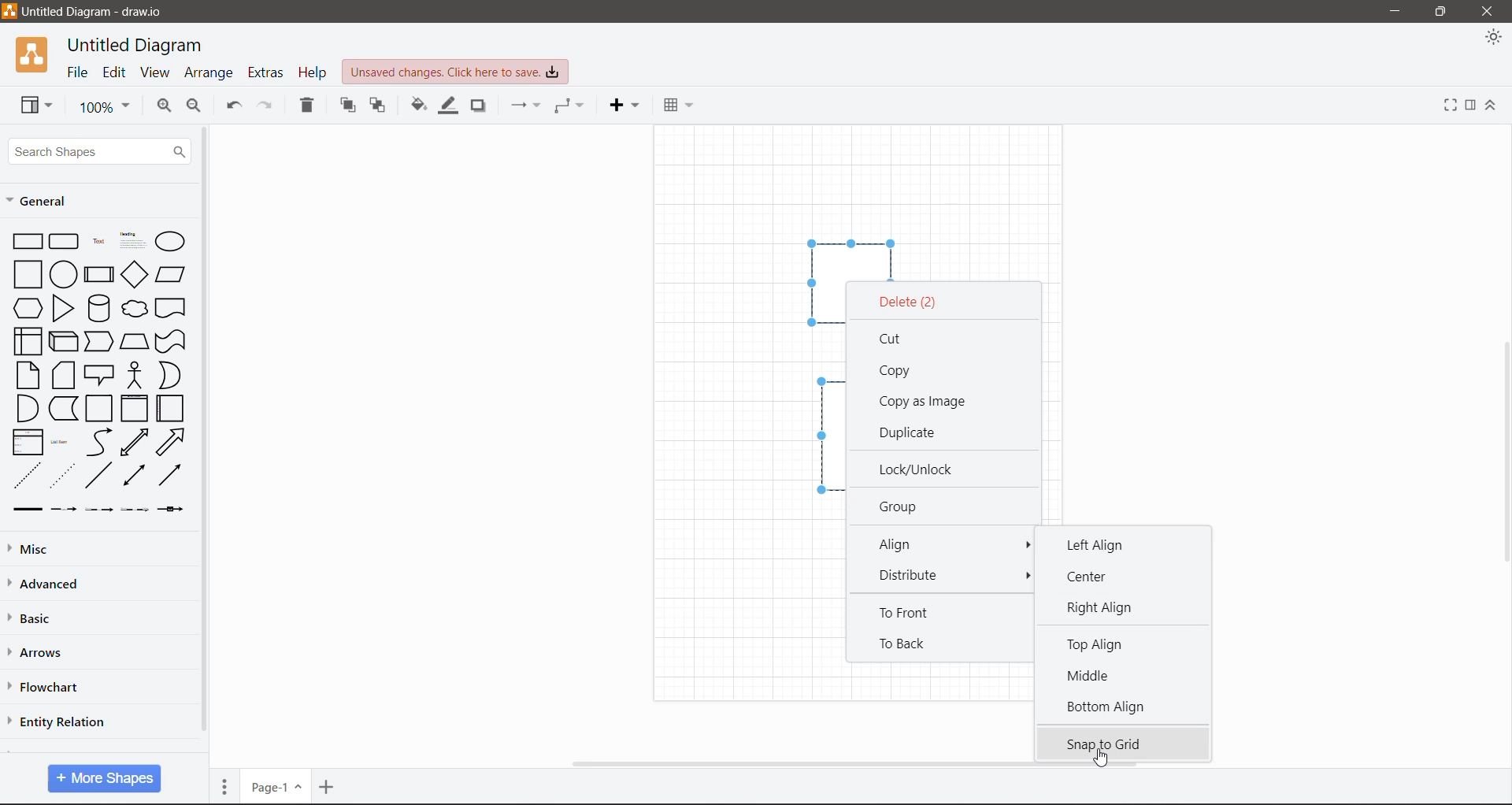 This screenshot has width=1512, height=805. Describe the element at coordinates (376, 106) in the screenshot. I see `To Back` at that location.